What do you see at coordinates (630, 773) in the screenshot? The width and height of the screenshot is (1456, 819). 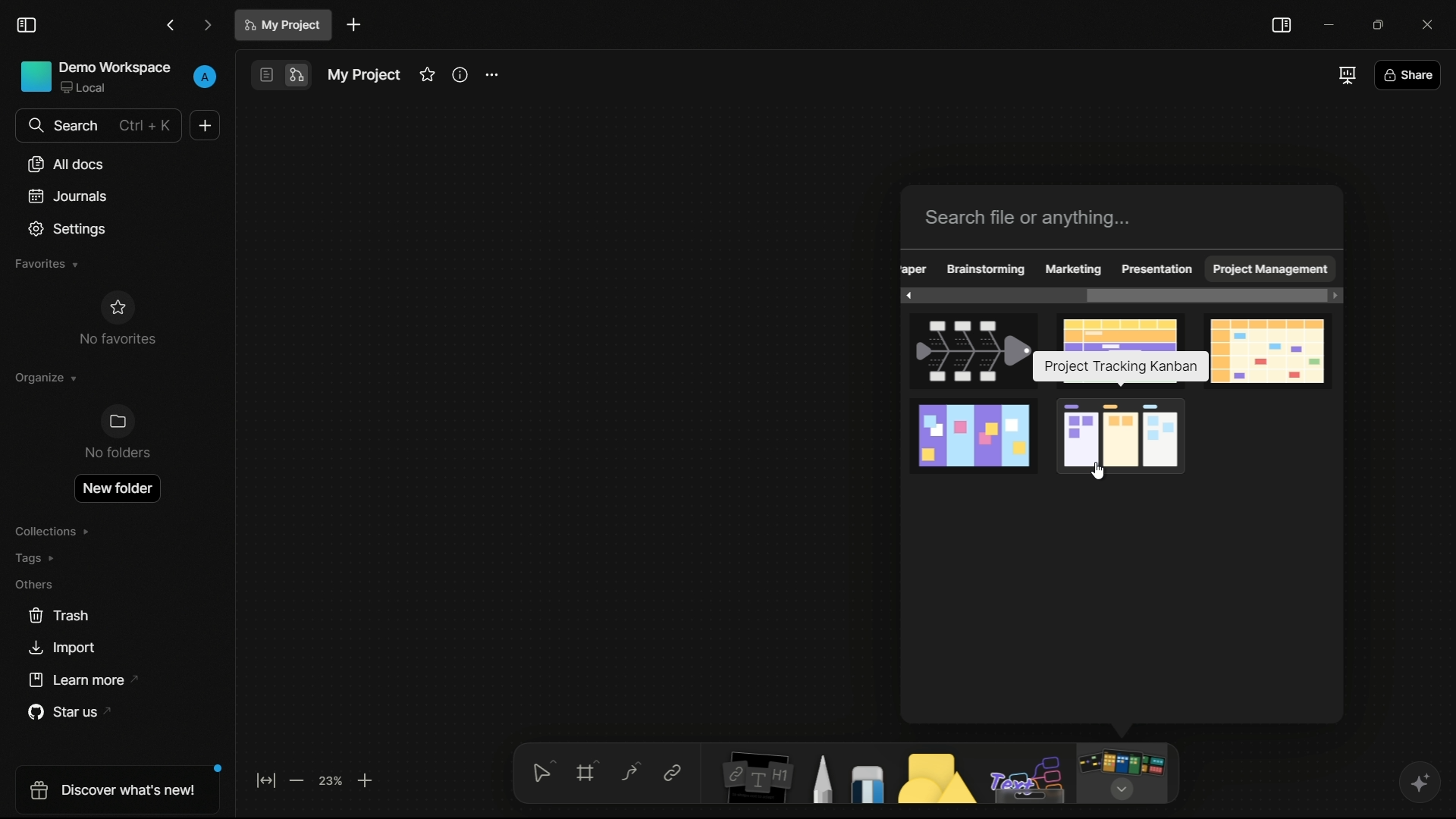 I see `connectors` at bounding box center [630, 773].